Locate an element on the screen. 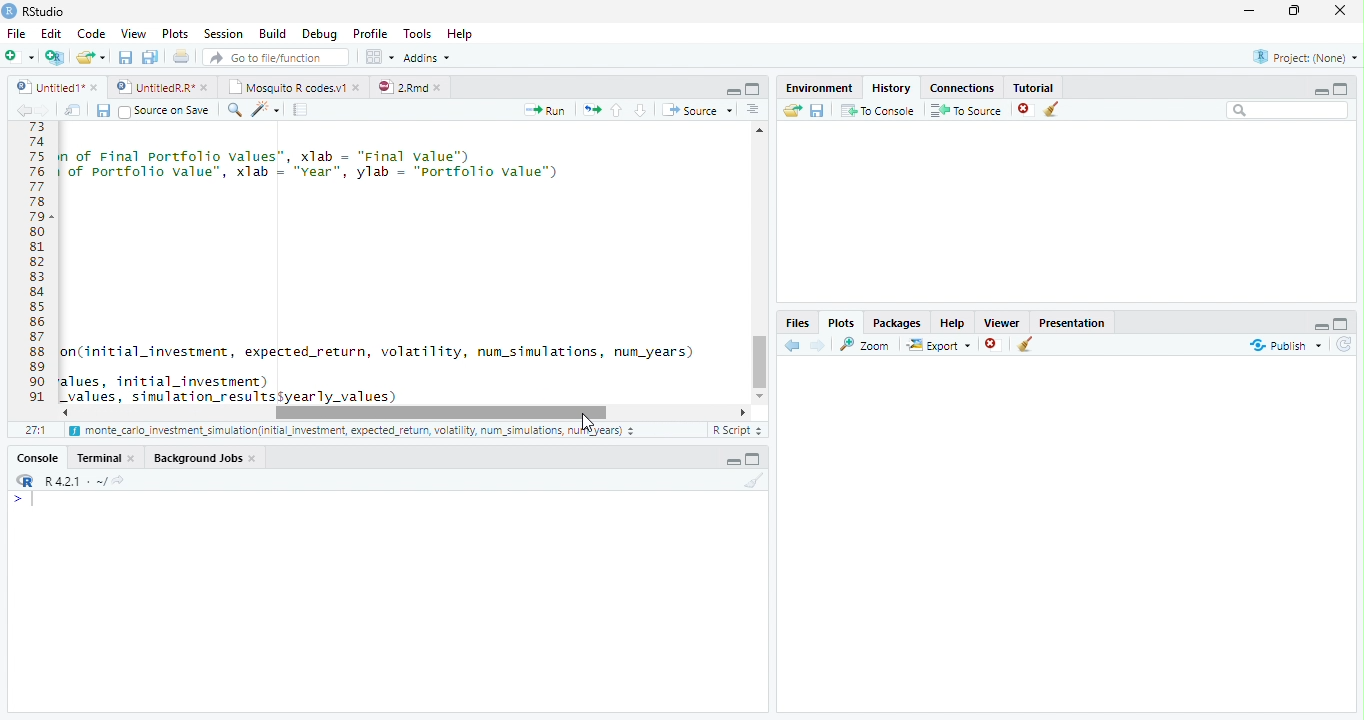  Next Plot is located at coordinates (818, 345).